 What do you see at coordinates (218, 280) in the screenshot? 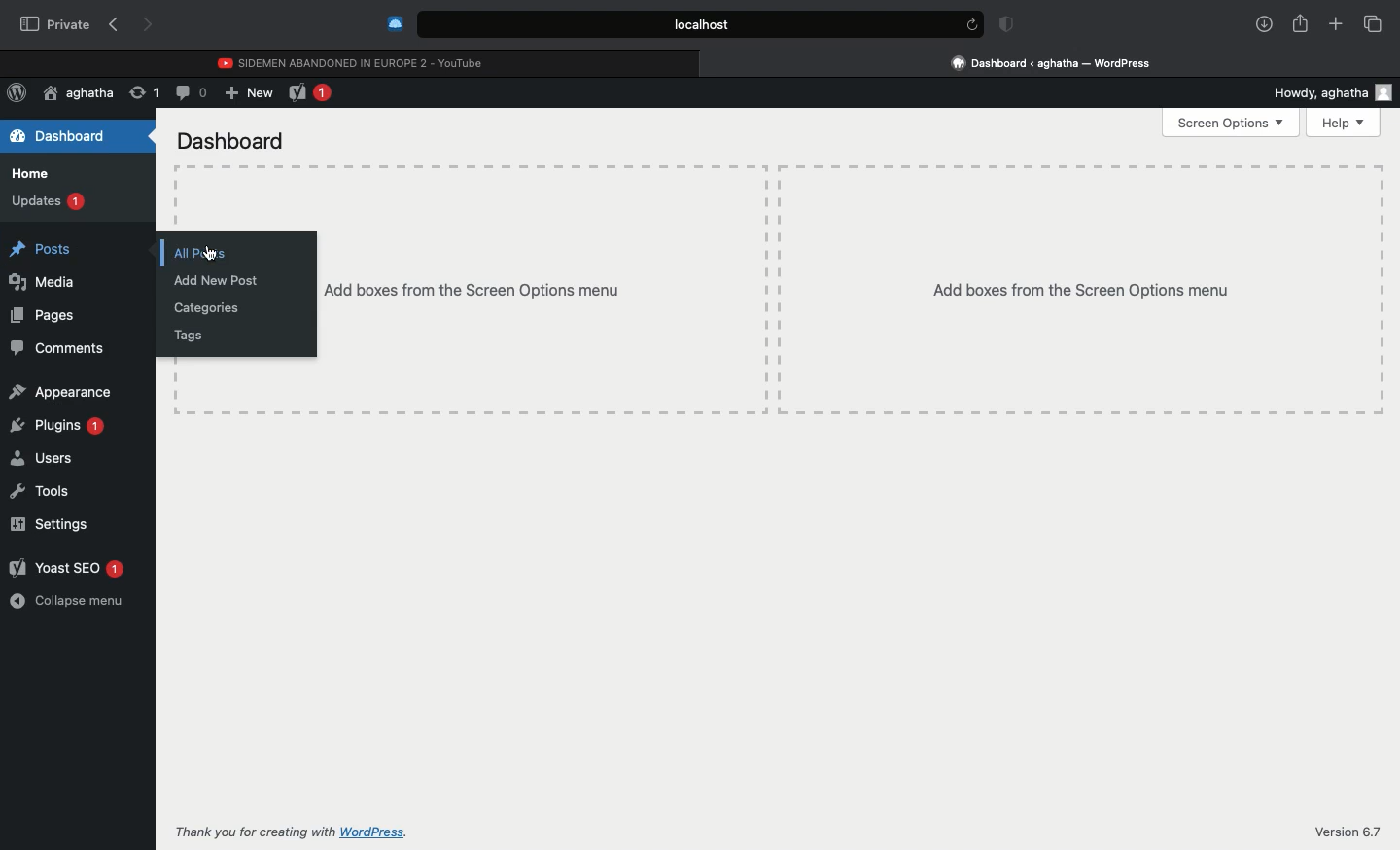
I see `Add new post` at bounding box center [218, 280].